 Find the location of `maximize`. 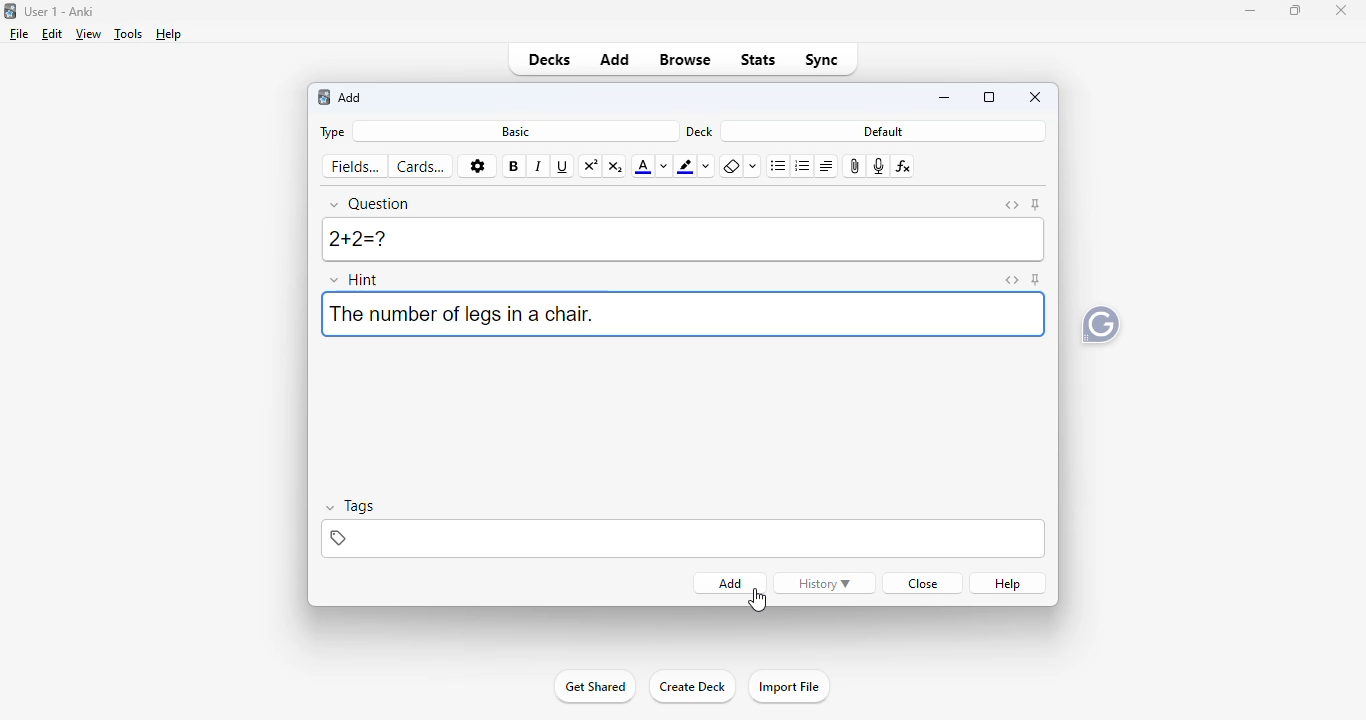

maximize is located at coordinates (1295, 10).